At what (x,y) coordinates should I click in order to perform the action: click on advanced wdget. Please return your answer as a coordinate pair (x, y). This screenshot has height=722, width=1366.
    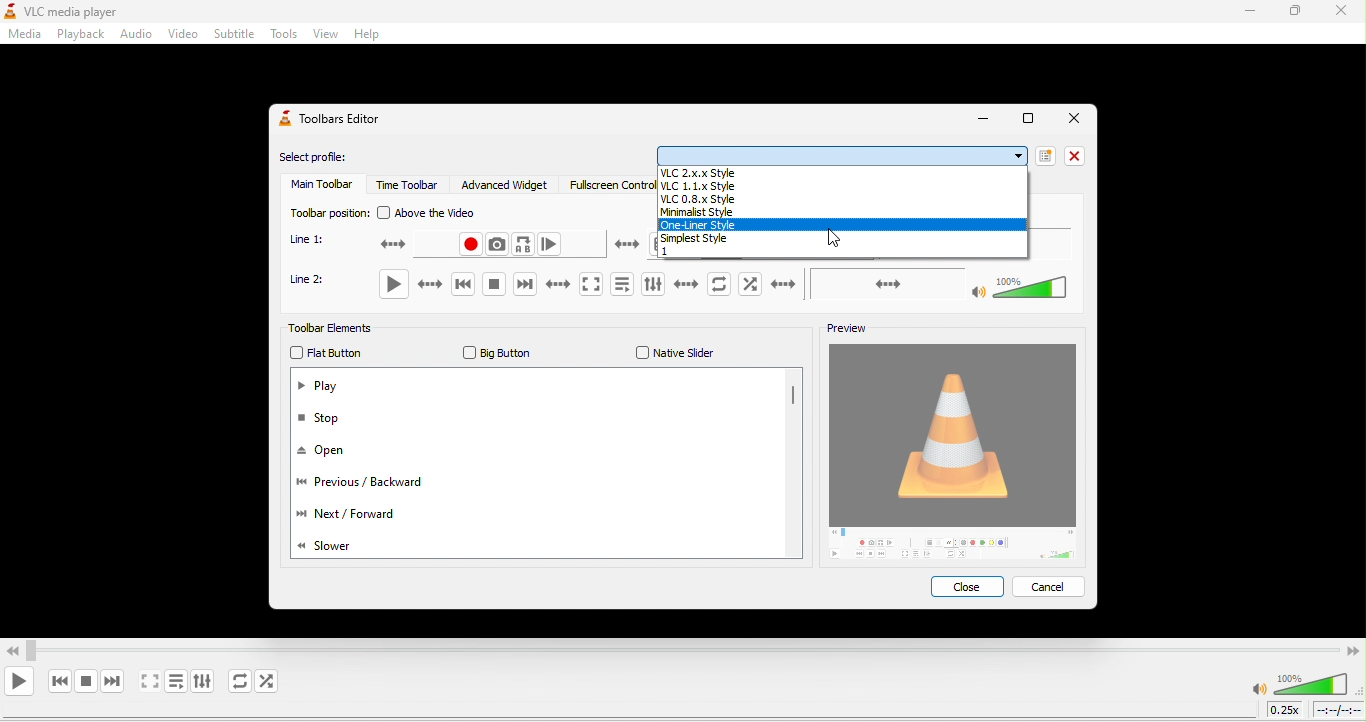
    Looking at the image, I should click on (506, 184).